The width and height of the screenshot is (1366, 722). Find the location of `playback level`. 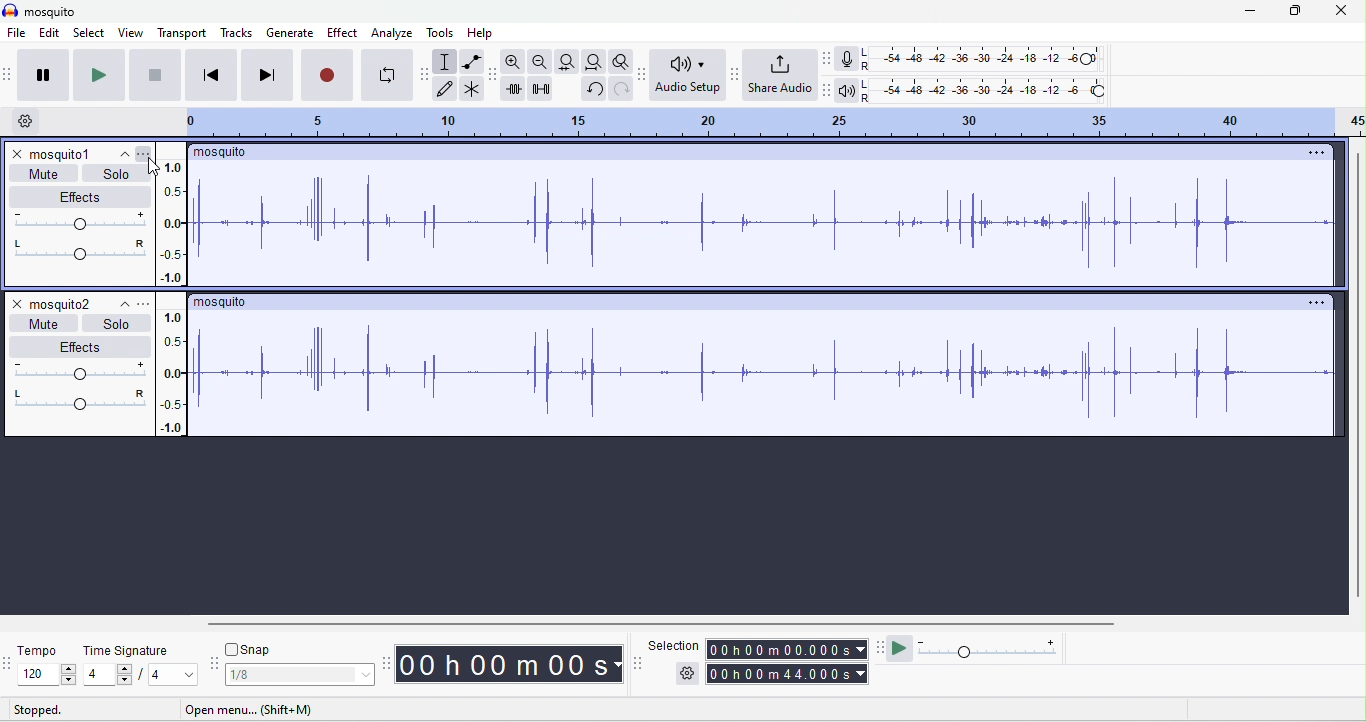

playback level is located at coordinates (984, 89).